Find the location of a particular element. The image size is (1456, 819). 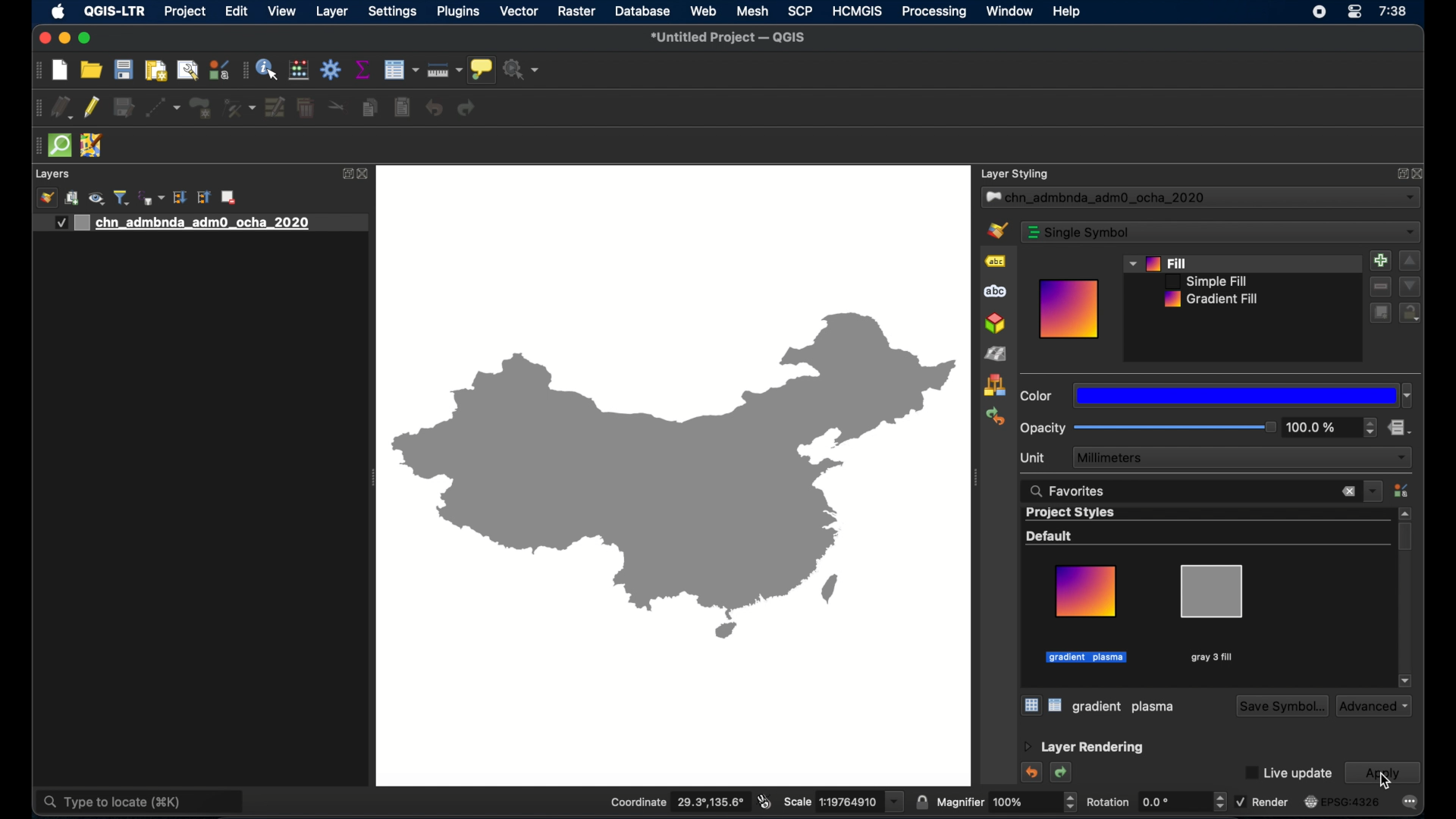

control center is located at coordinates (1355, 12).